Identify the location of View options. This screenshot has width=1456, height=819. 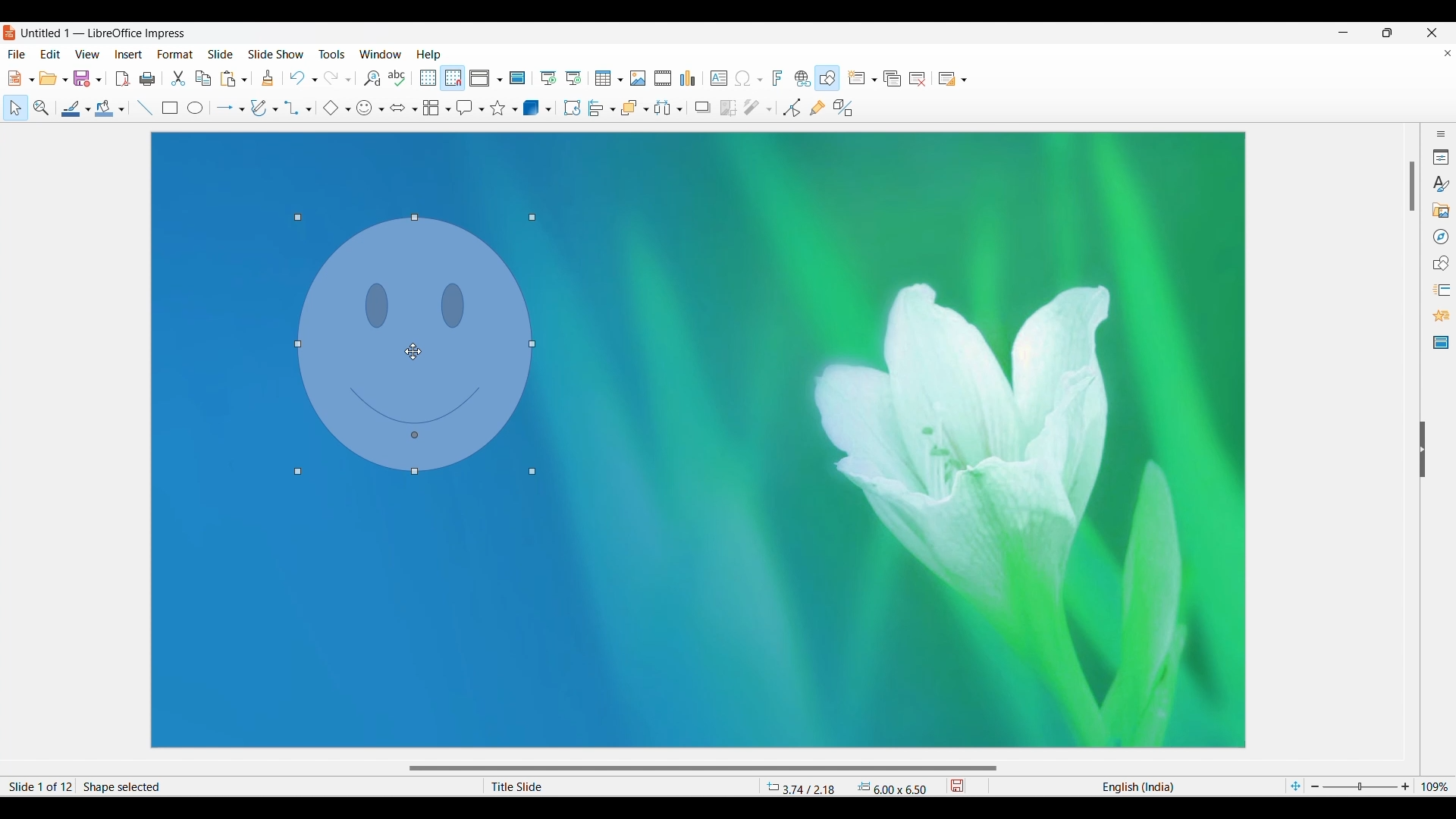
(499, 80).